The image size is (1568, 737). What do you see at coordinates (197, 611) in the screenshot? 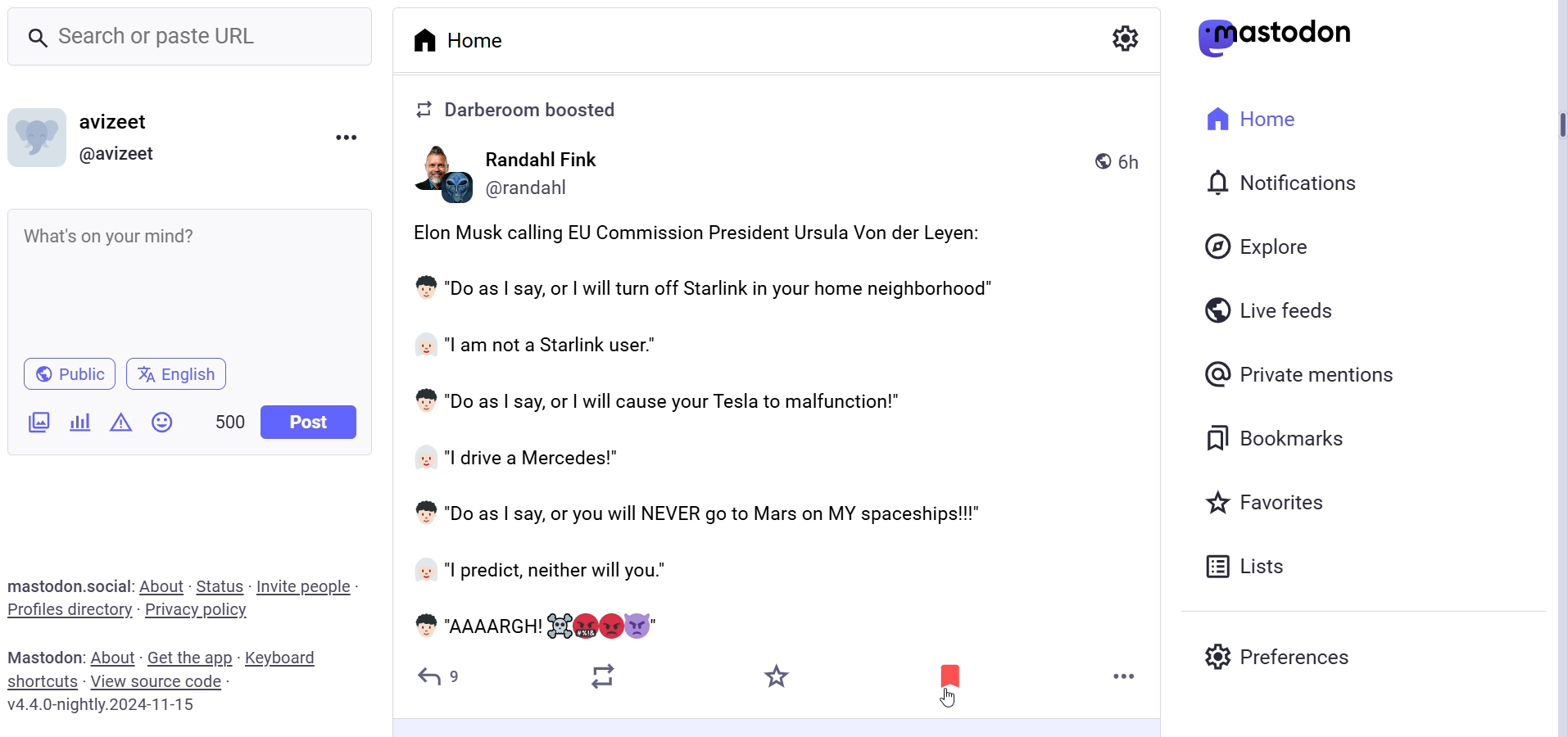
I see `Privacy Policy` at bounding box center [197, 611].